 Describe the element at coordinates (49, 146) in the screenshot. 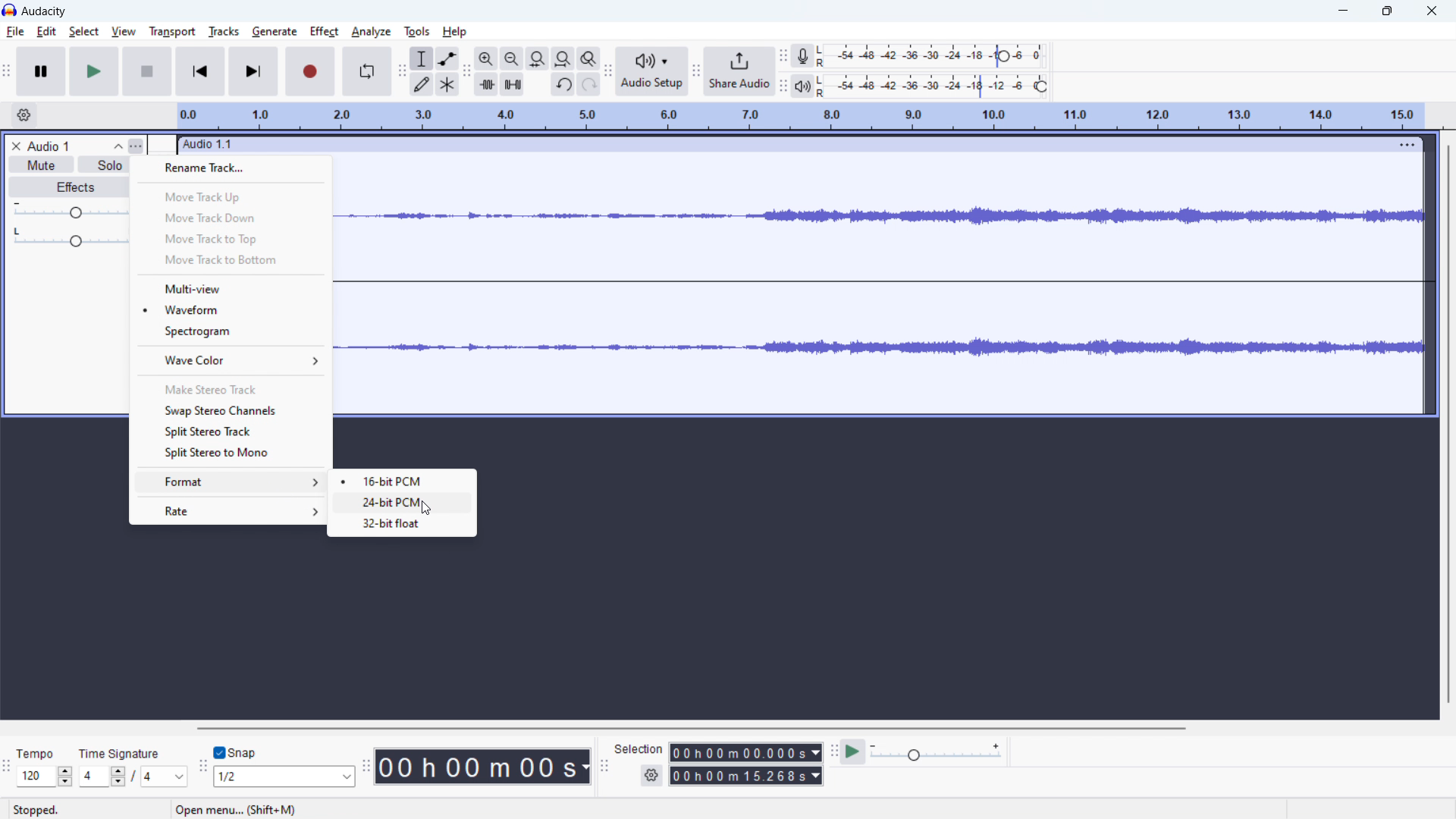

I see `title o project` at that location.